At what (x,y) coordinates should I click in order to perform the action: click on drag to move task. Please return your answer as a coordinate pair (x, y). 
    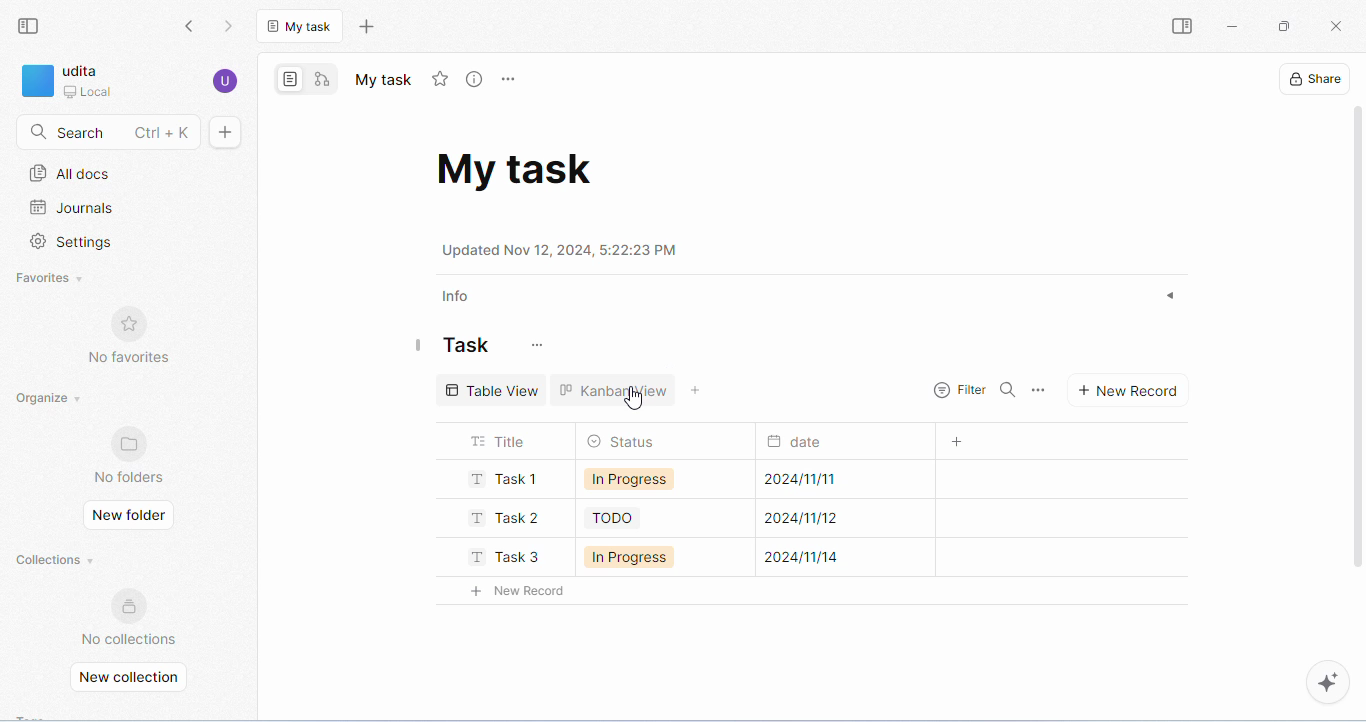
    Looking at the image, I should click on (420, 349).